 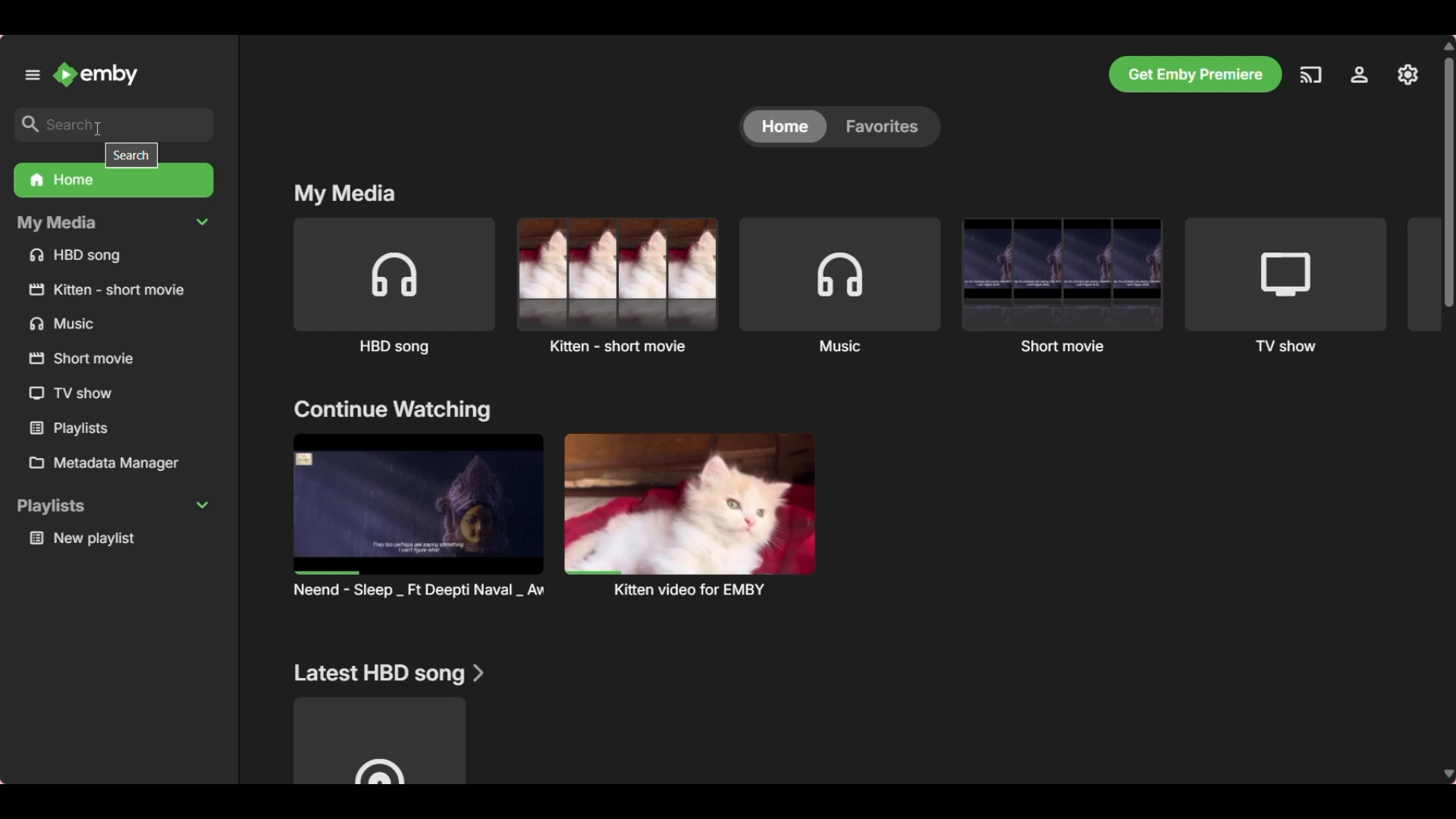 I want to click on Collapse playlists, so click(x=113, y=507).